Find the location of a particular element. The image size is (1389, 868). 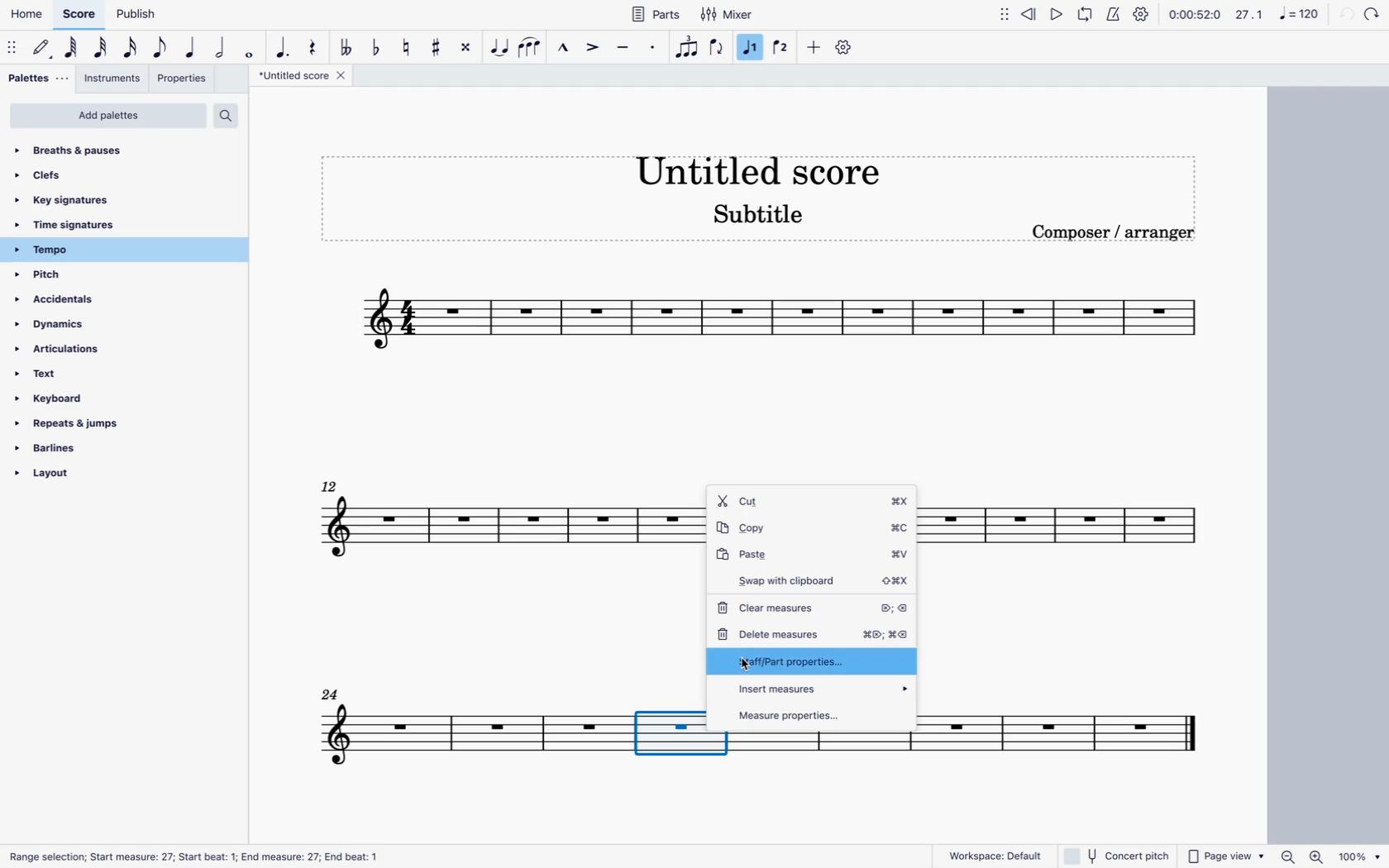

concert pitch is located at coordinates (1119, 856).